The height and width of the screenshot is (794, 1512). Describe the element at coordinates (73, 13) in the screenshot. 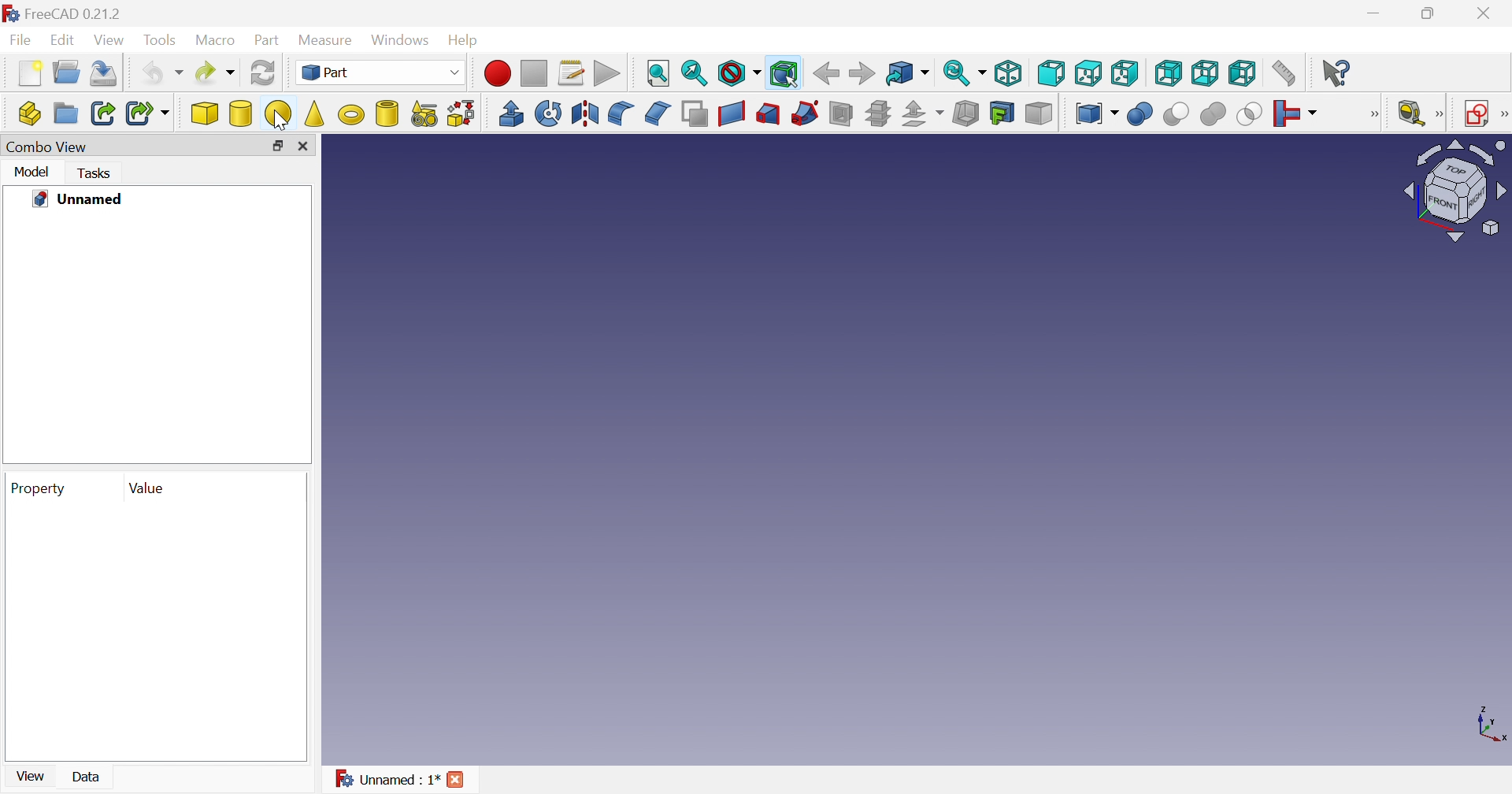

I see `FreeCAD 0.21.2` at that location.